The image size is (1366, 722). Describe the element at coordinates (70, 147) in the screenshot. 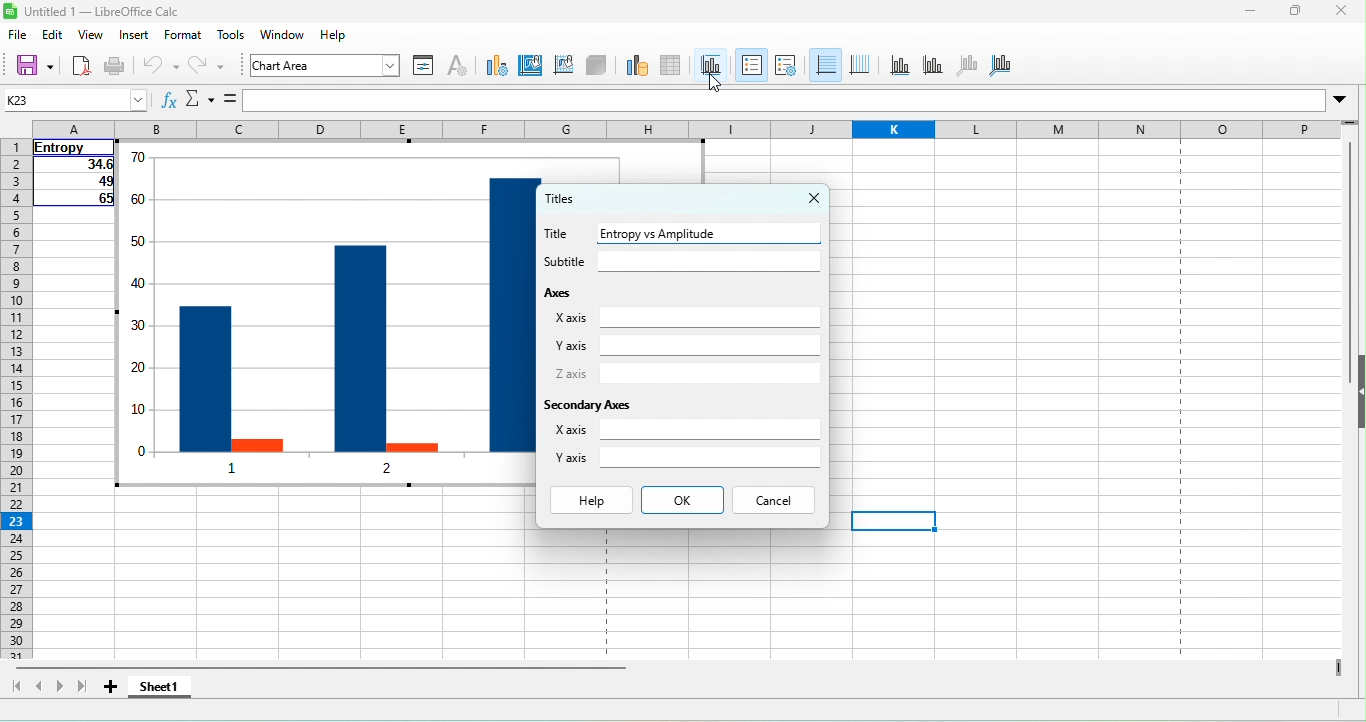

I see `entropy` at that location.